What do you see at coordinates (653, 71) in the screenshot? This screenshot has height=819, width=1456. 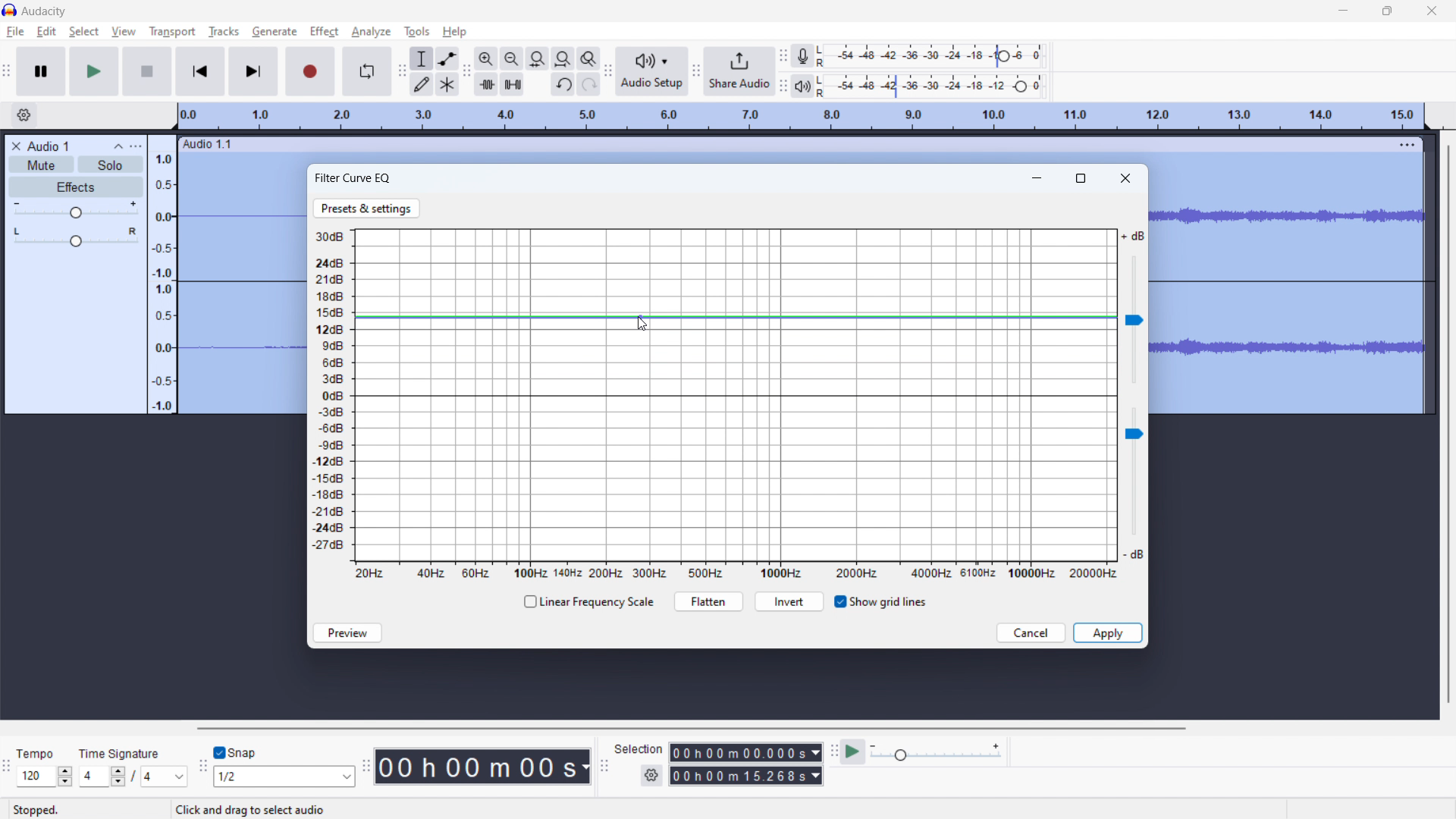 I see `audio setup` at bounding box center [653, 71].